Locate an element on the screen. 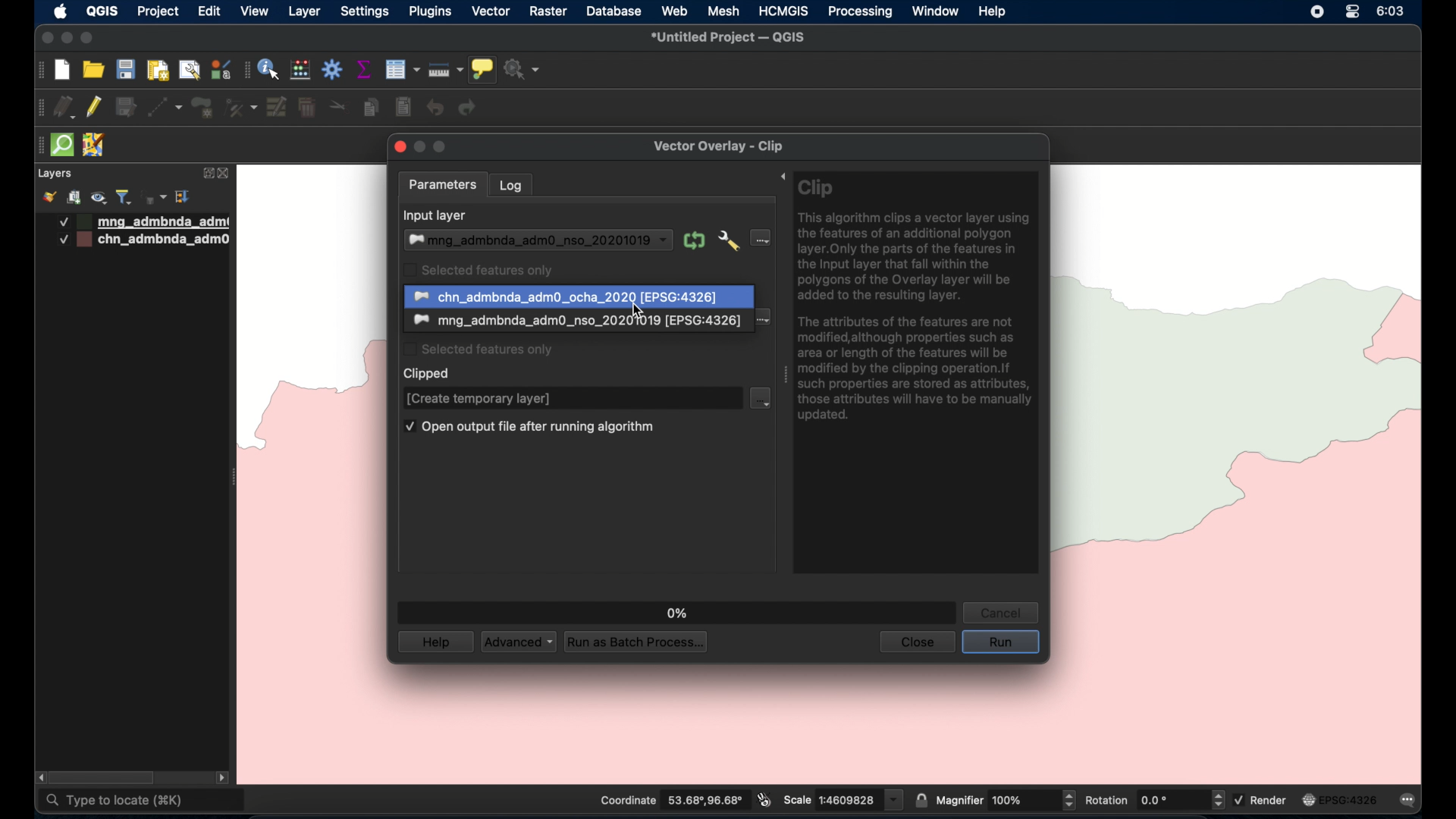 The height and width of the screenshot is (819, 1456). project toolbar is located at coordinates (39, 71).